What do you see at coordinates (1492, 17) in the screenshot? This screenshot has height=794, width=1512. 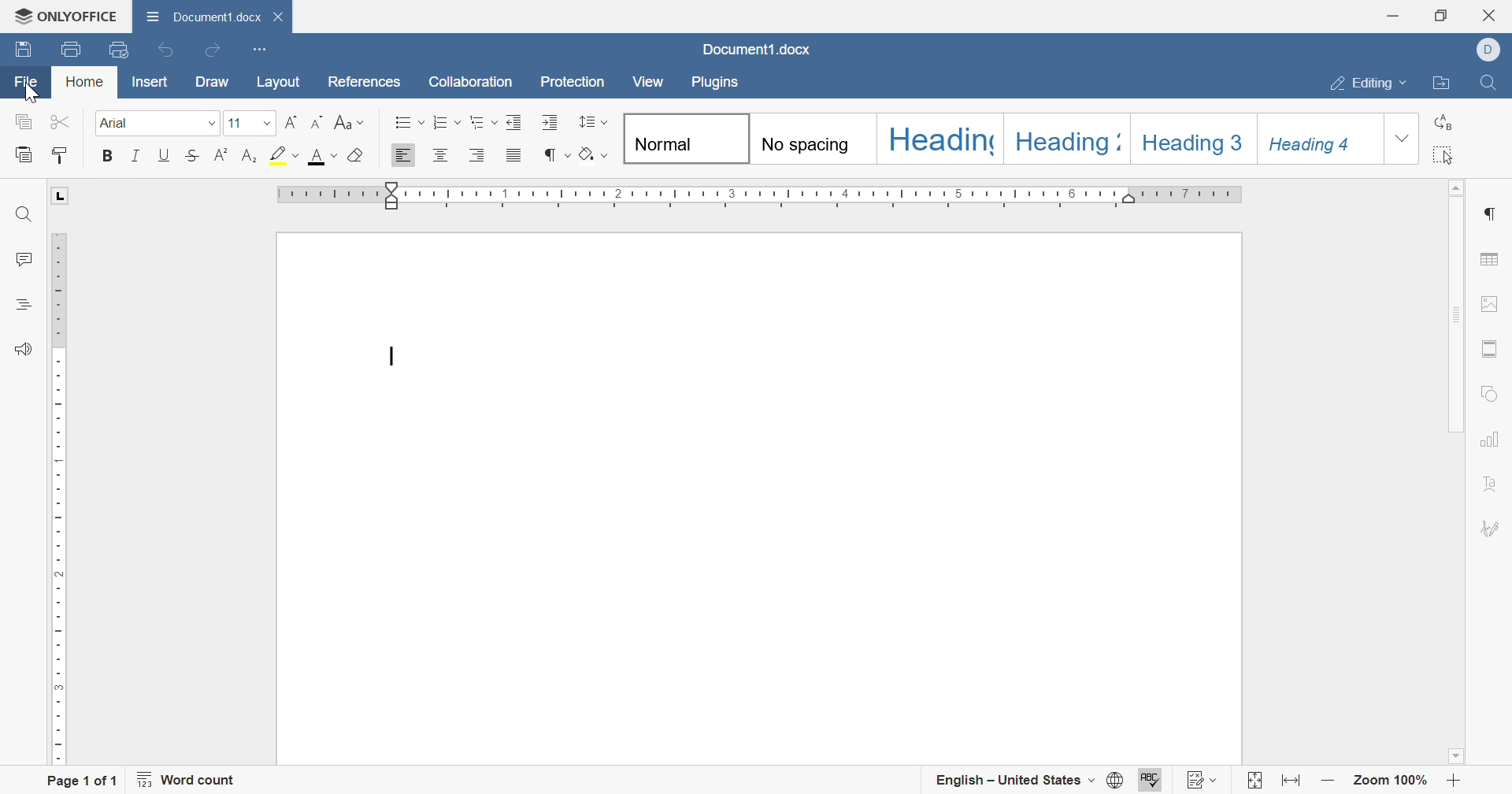 I see `close` at bounding box center [1492, 17].